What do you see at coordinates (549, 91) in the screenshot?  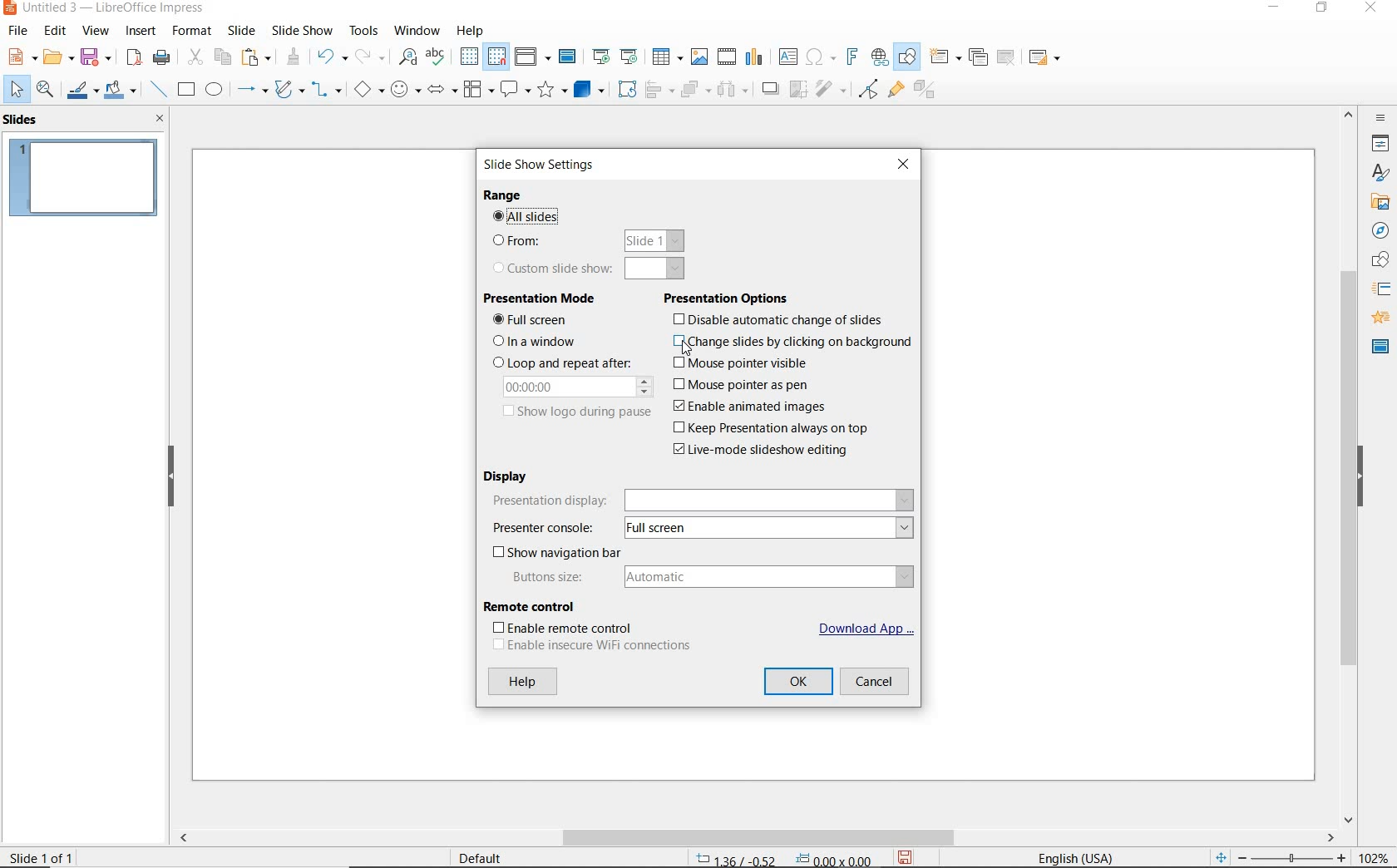 I see `STARS AND BANNERS` at bounding box center [549, 91].